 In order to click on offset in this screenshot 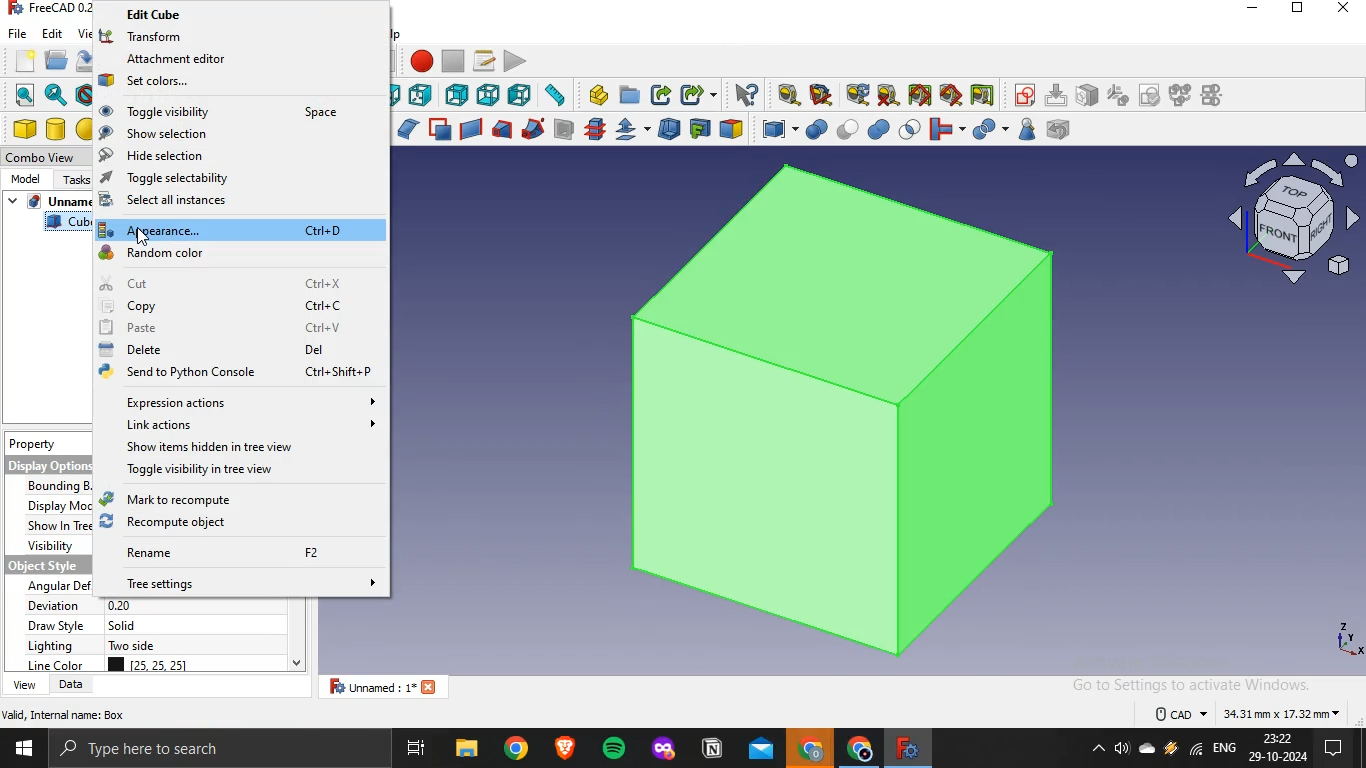, I will do `click(631, 129)`.